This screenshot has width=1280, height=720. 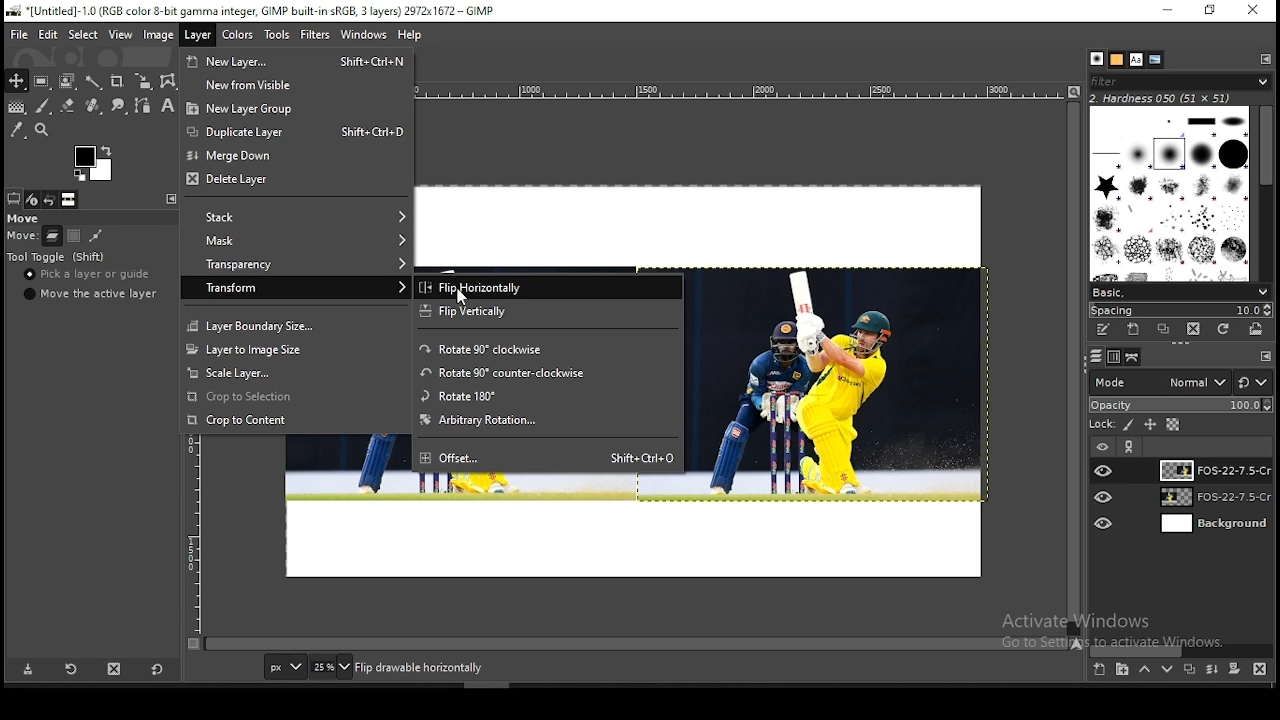 I want to click on color picker tool, so click(x=17, y=129).